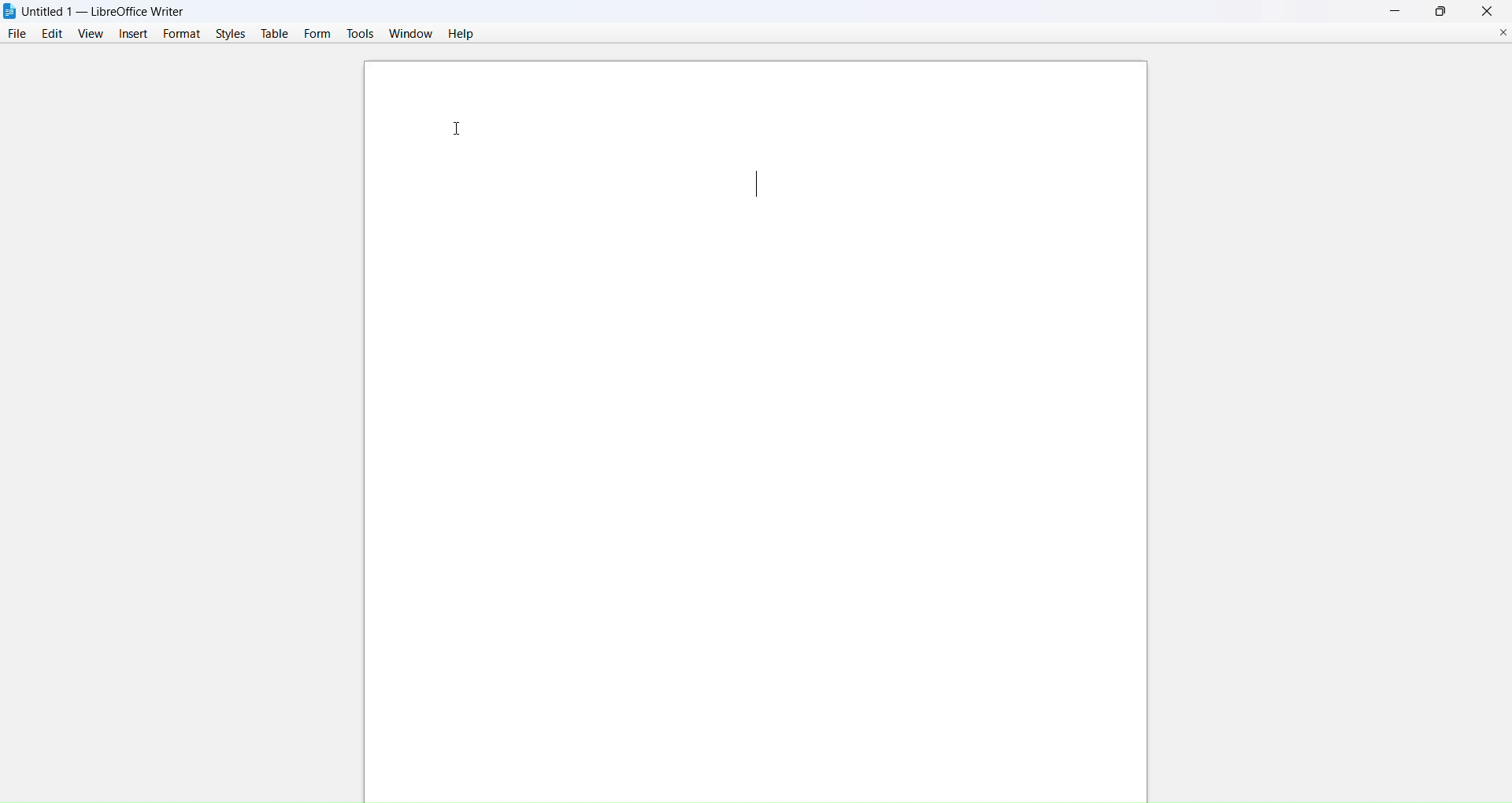 This screenshot has width=1512, height=803. Describe the element at coordinates (109, 9) in the screenshot. I see `Untitled 1 — LibreOffice Writer` at that location.